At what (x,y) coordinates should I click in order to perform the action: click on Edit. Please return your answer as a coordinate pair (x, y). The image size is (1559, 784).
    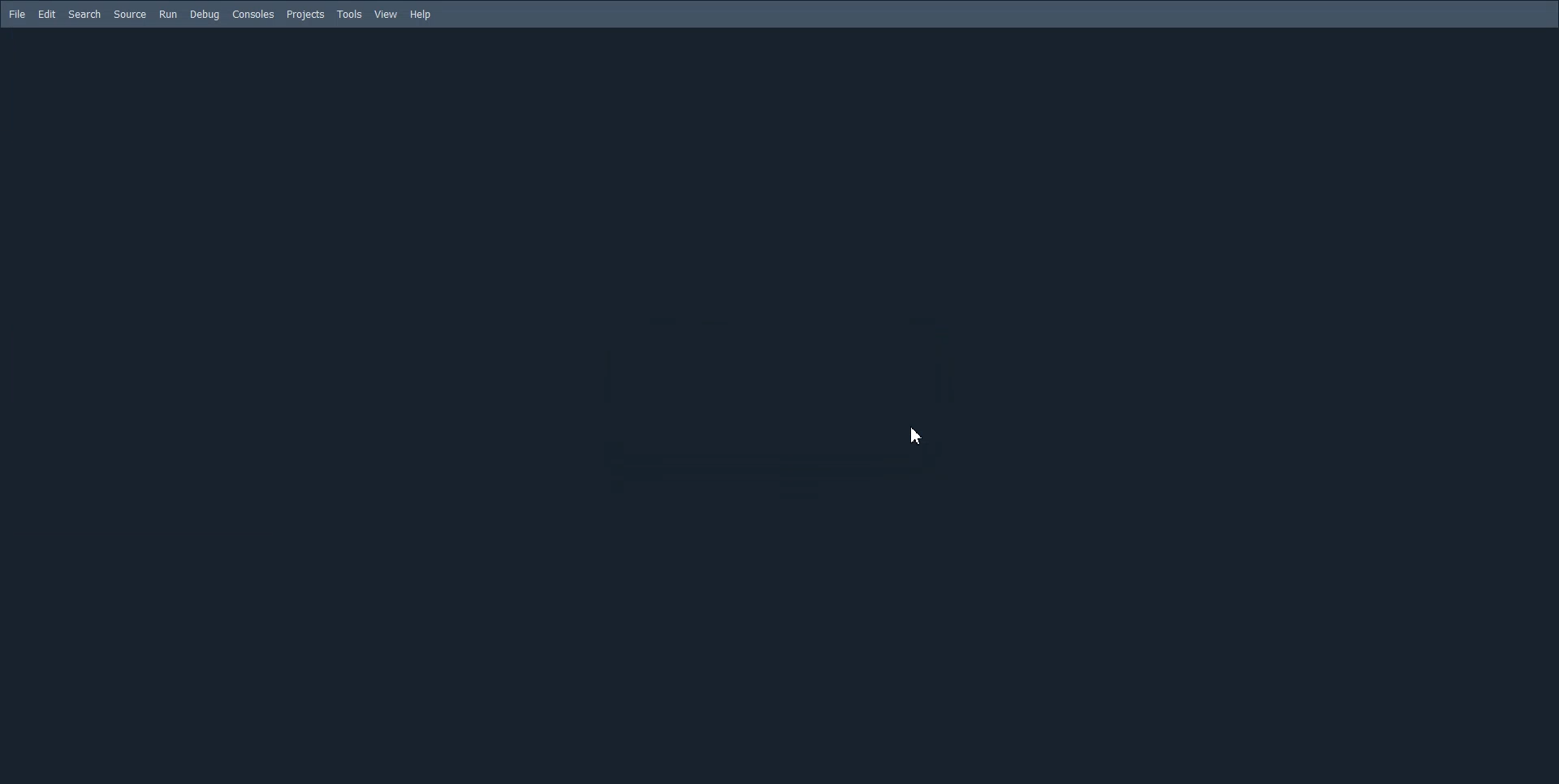
    Looking at the image, I should click on (47, 14).